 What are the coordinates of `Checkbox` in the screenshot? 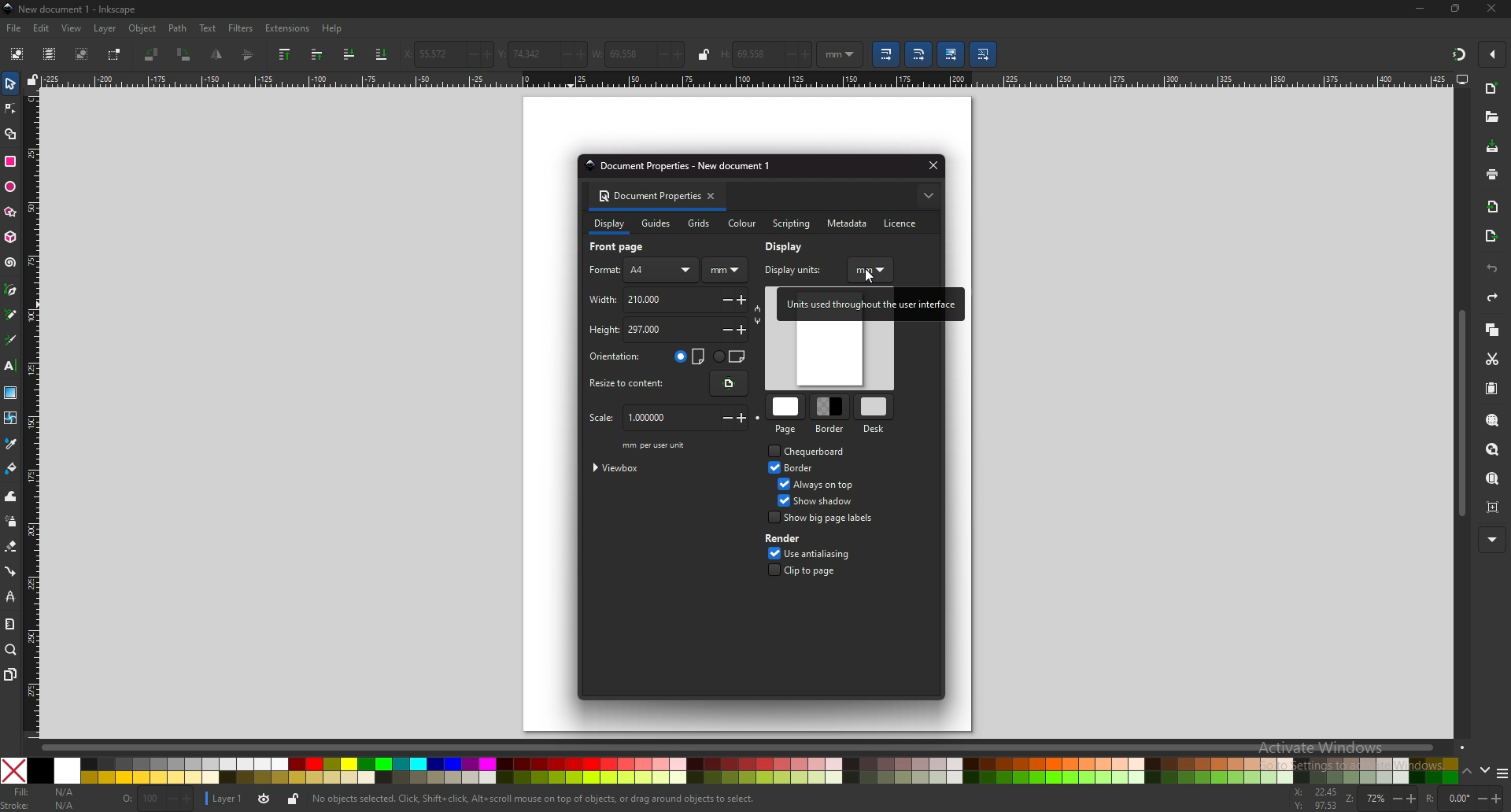 It's located at (779, 482).